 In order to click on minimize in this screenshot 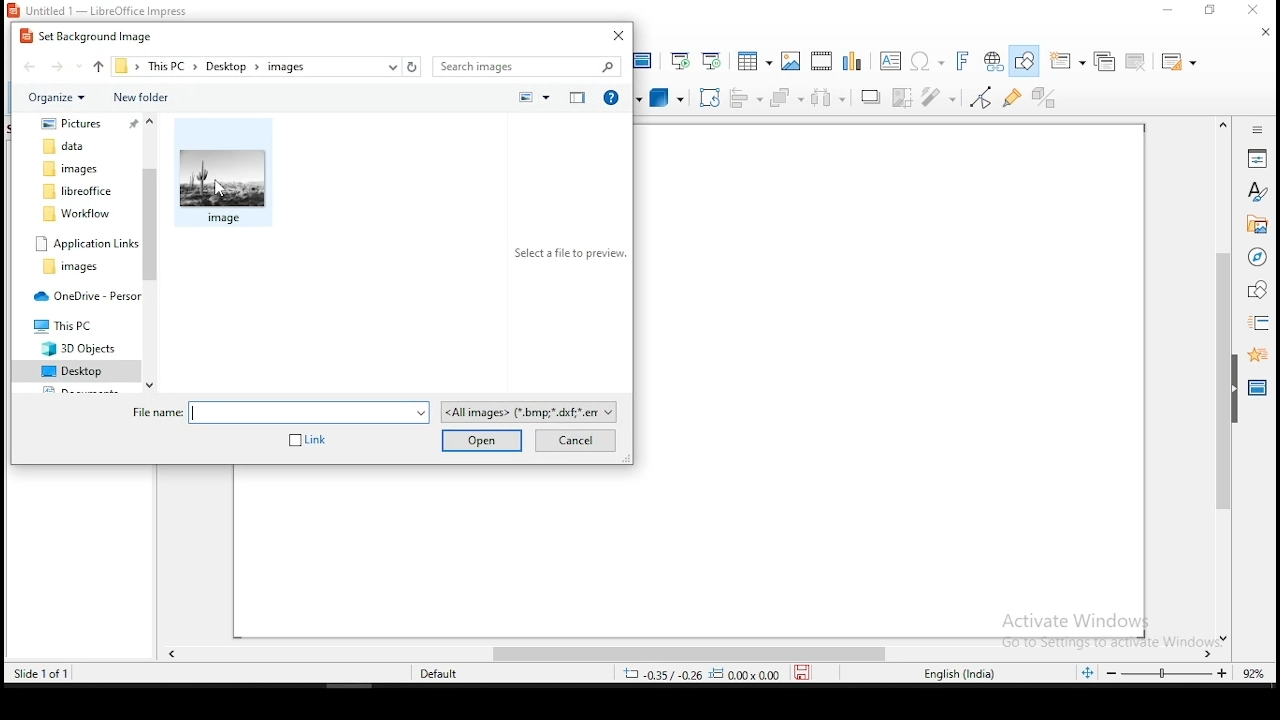, I will do `click(1166, 11)`.